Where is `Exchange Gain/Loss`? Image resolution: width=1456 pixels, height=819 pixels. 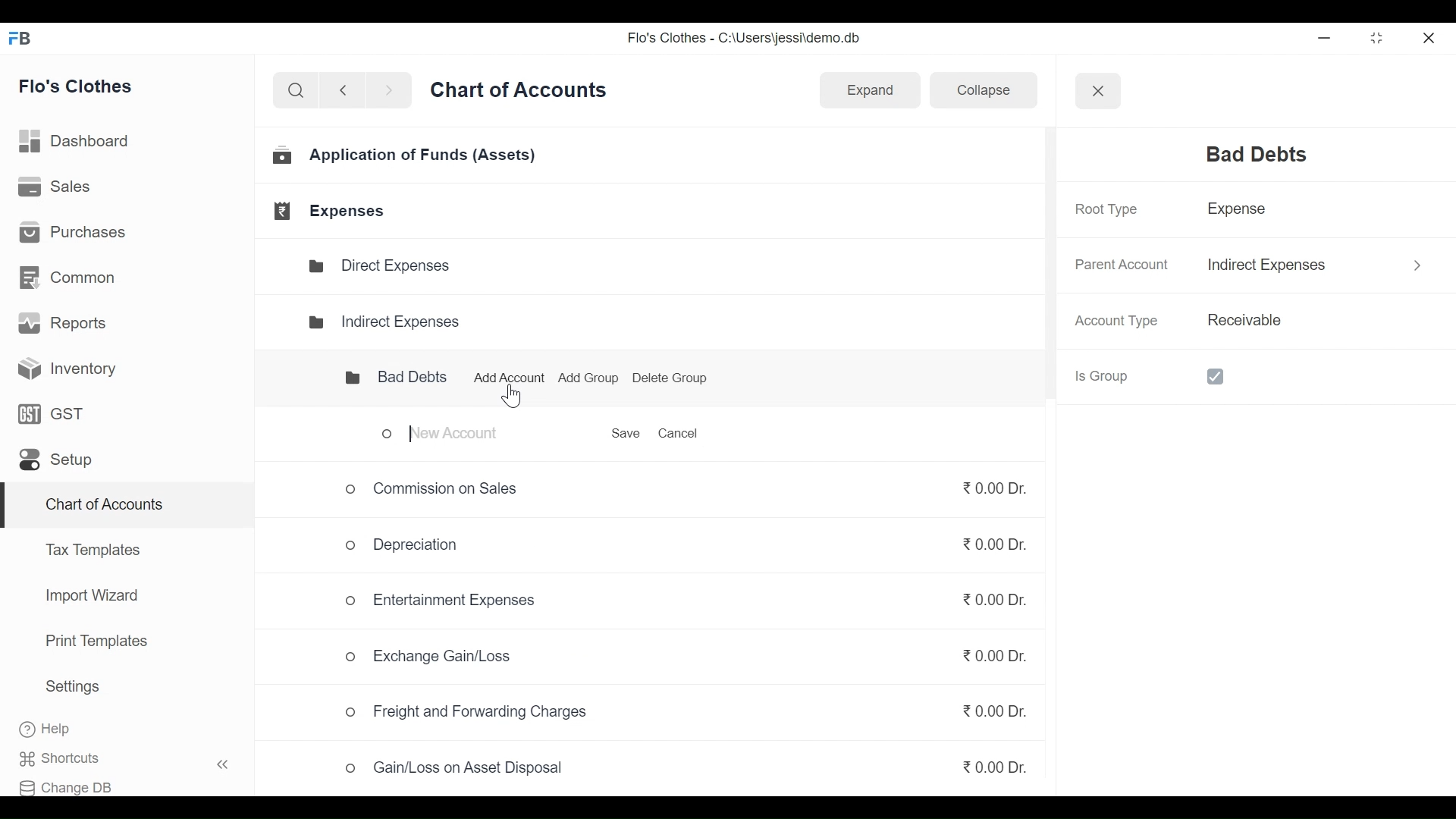
Exchange Gain/Loss is located at coordinates (432, 658).